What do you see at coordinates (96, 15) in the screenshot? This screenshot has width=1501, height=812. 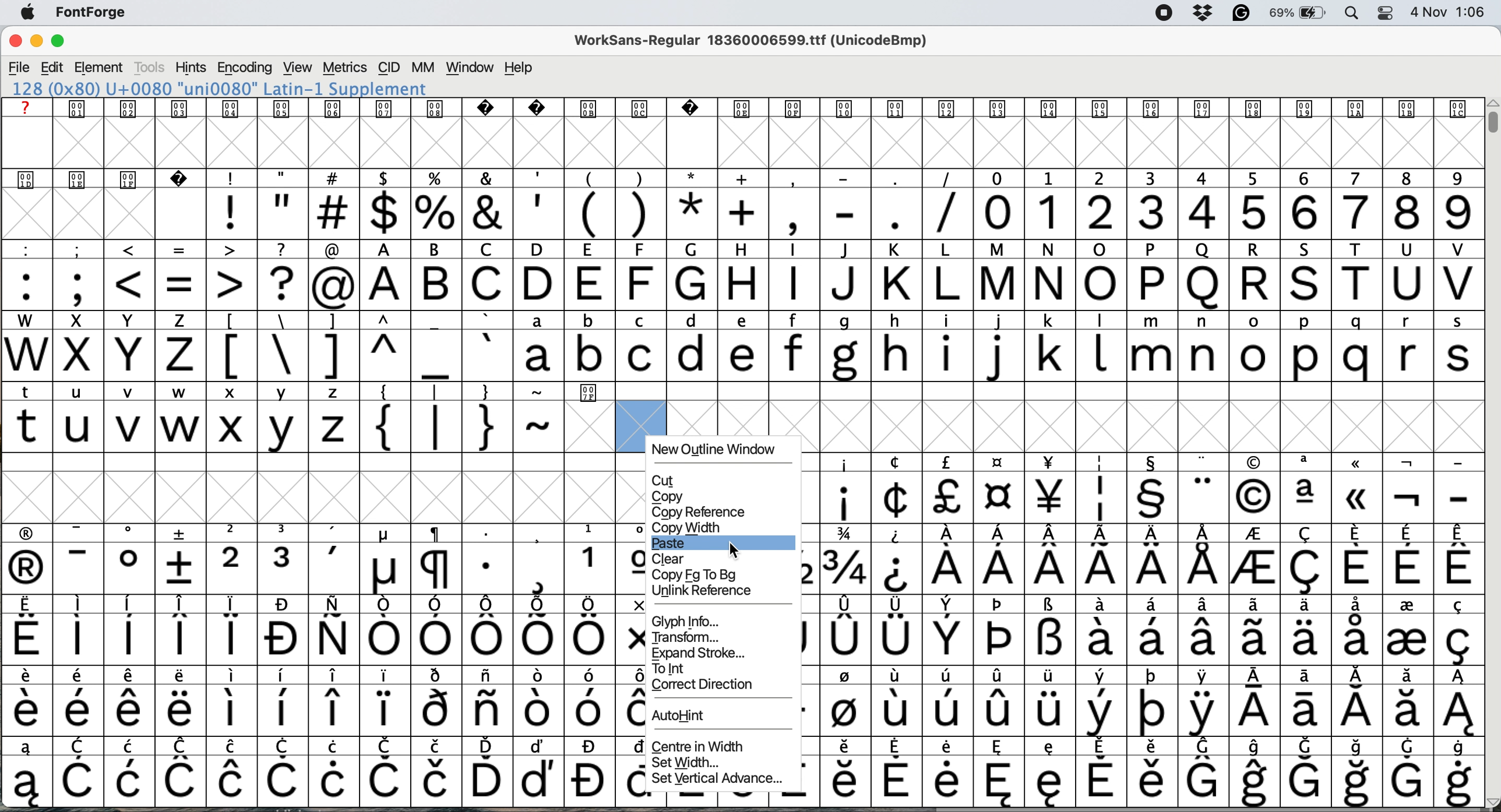 I see `fontforge` at bounding box center [96, 15].